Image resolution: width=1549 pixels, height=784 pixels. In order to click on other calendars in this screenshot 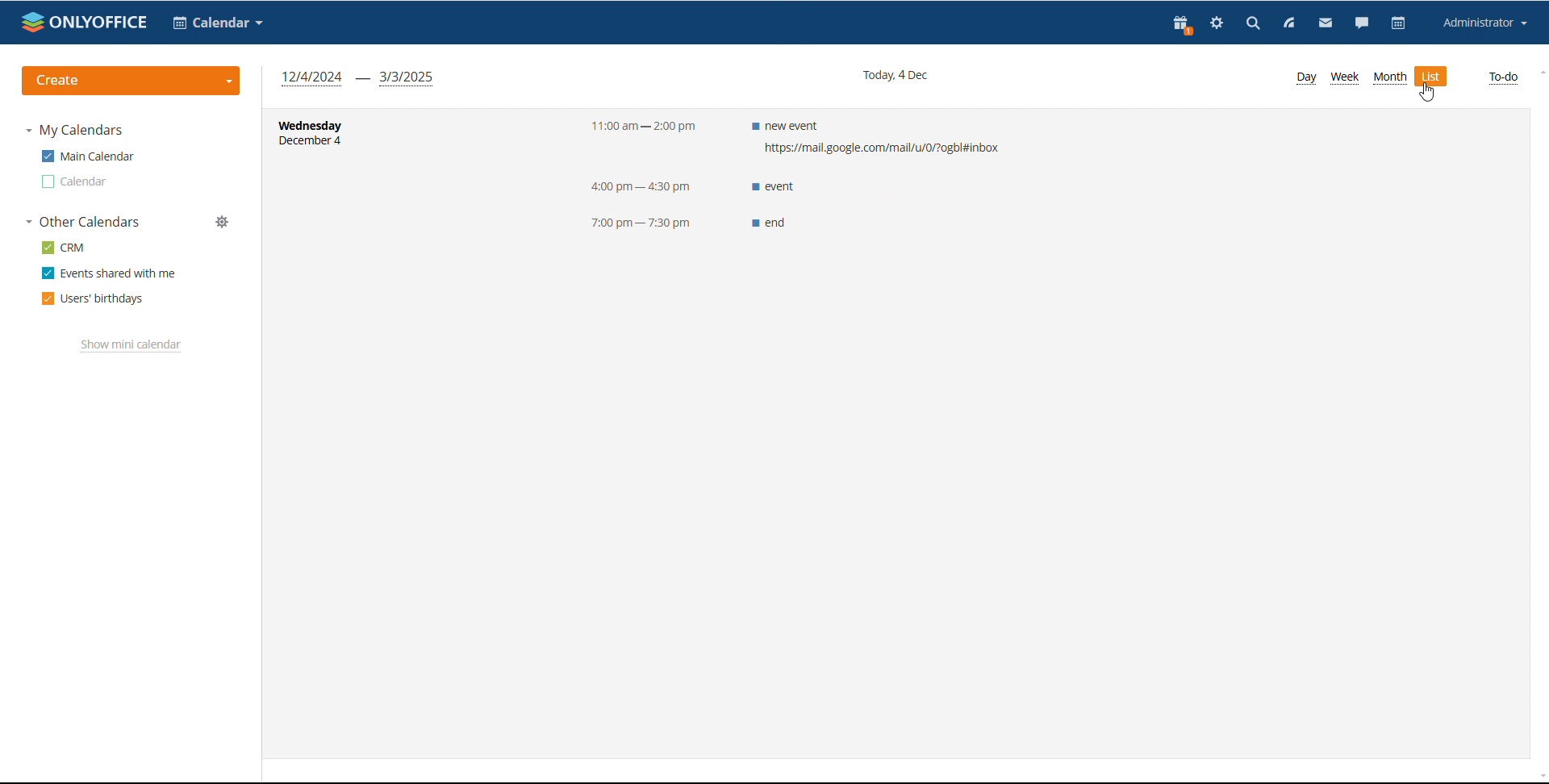, I will do `click(83, 222)`.